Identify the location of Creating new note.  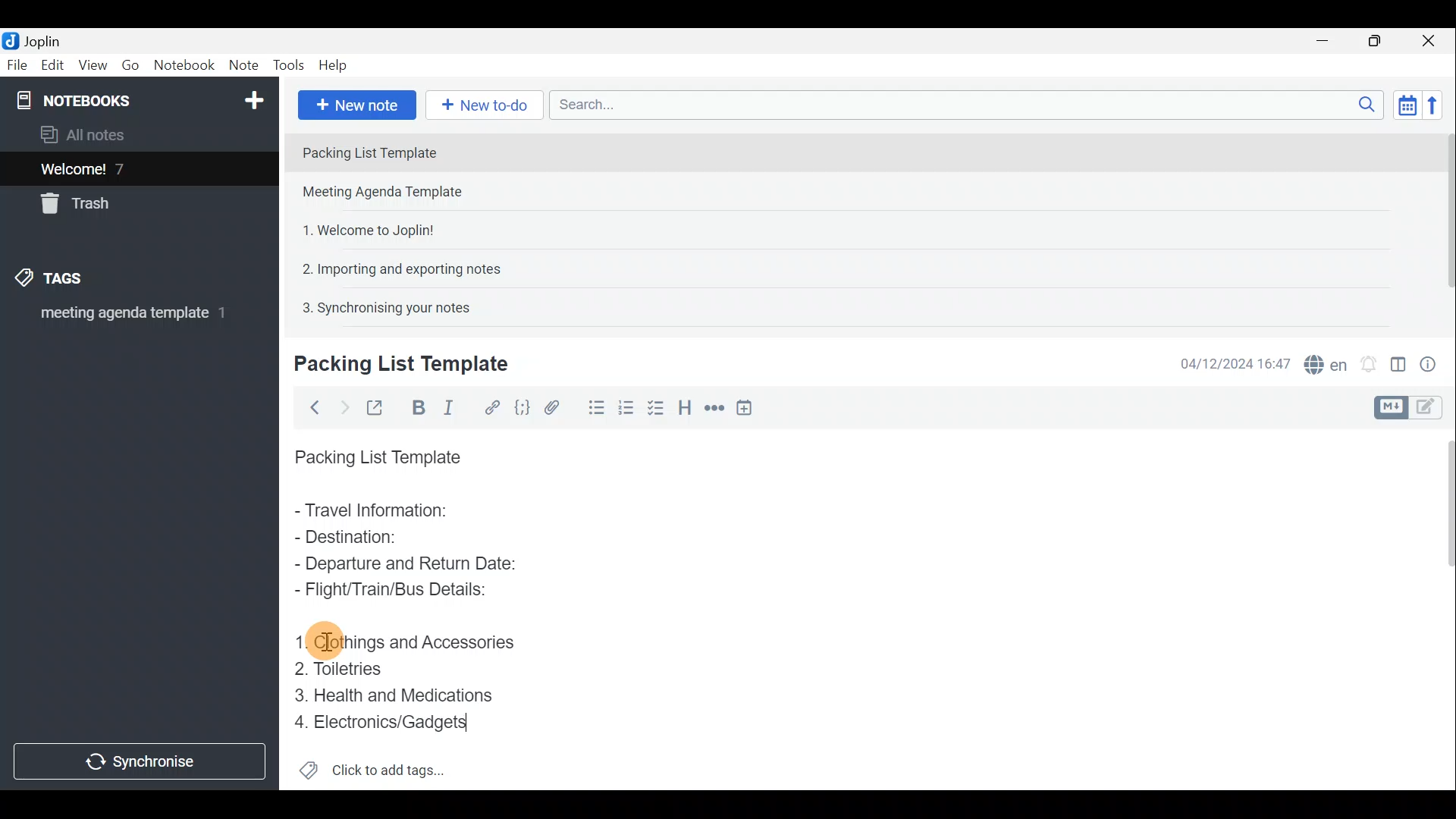
(392, 365).